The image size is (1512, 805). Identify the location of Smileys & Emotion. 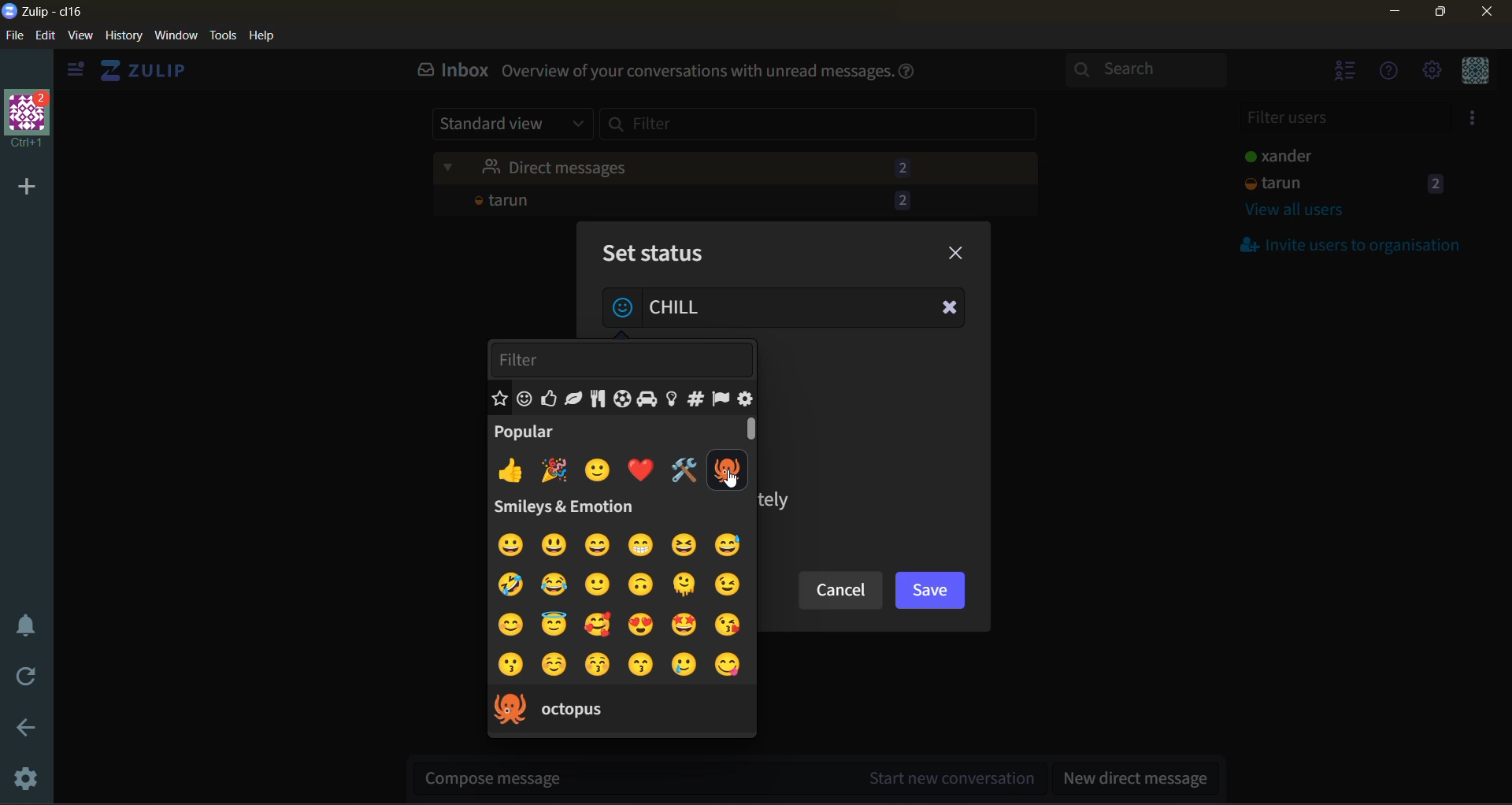
(570, 507).